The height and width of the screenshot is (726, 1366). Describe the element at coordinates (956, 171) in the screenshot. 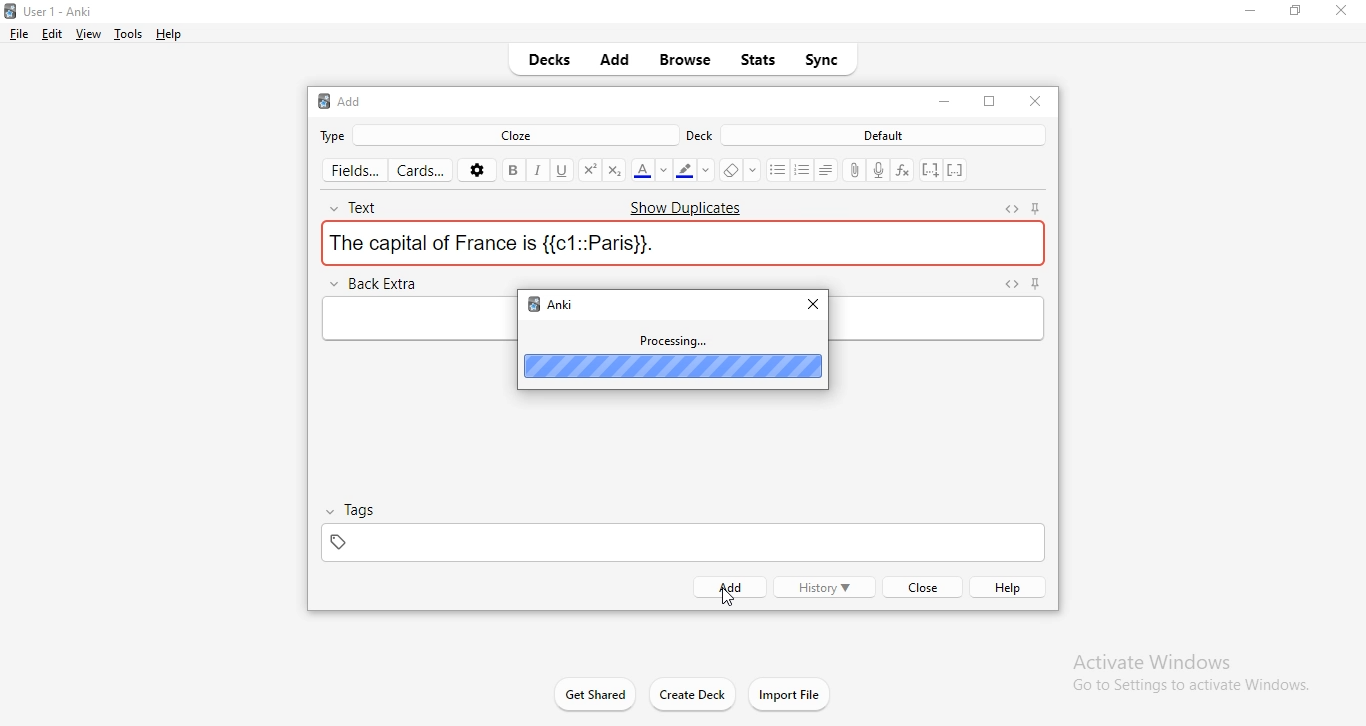

I see `remove cloze` at that location.